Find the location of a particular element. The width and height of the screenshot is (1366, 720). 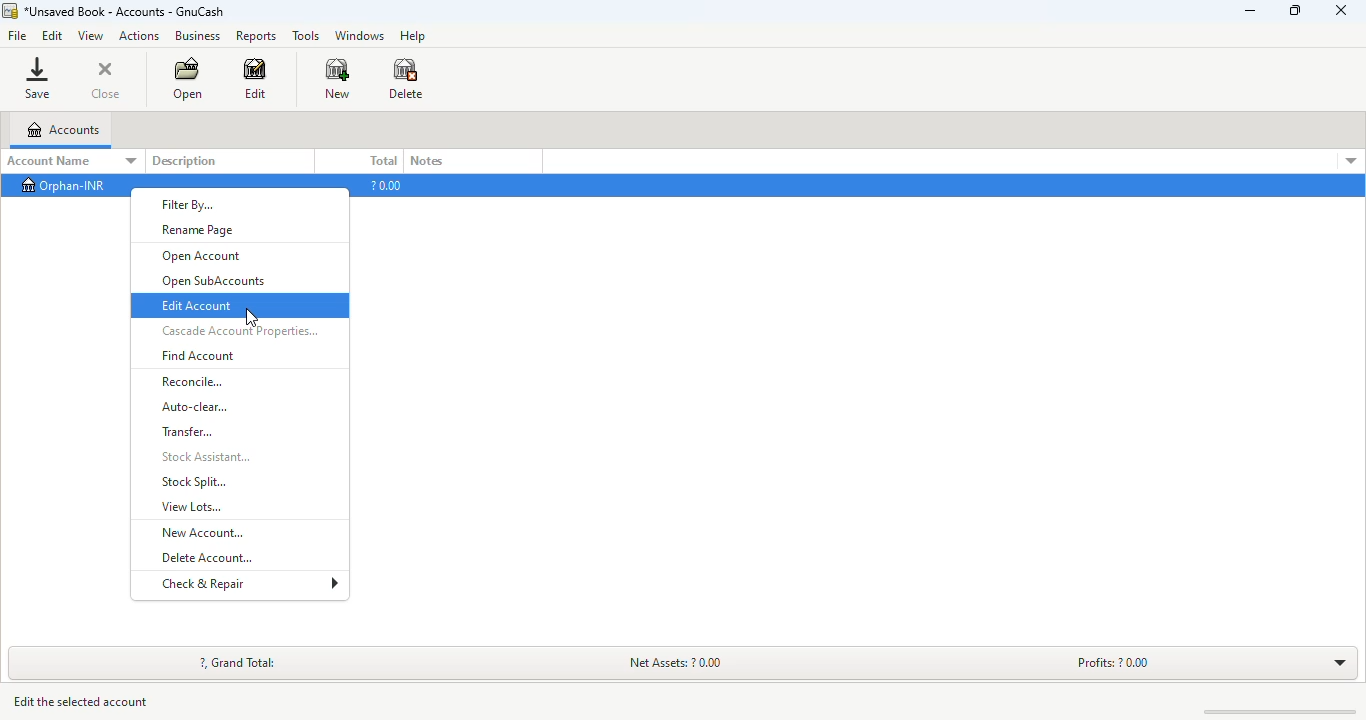

open SubAccounts is located at coordinates (214, 281).